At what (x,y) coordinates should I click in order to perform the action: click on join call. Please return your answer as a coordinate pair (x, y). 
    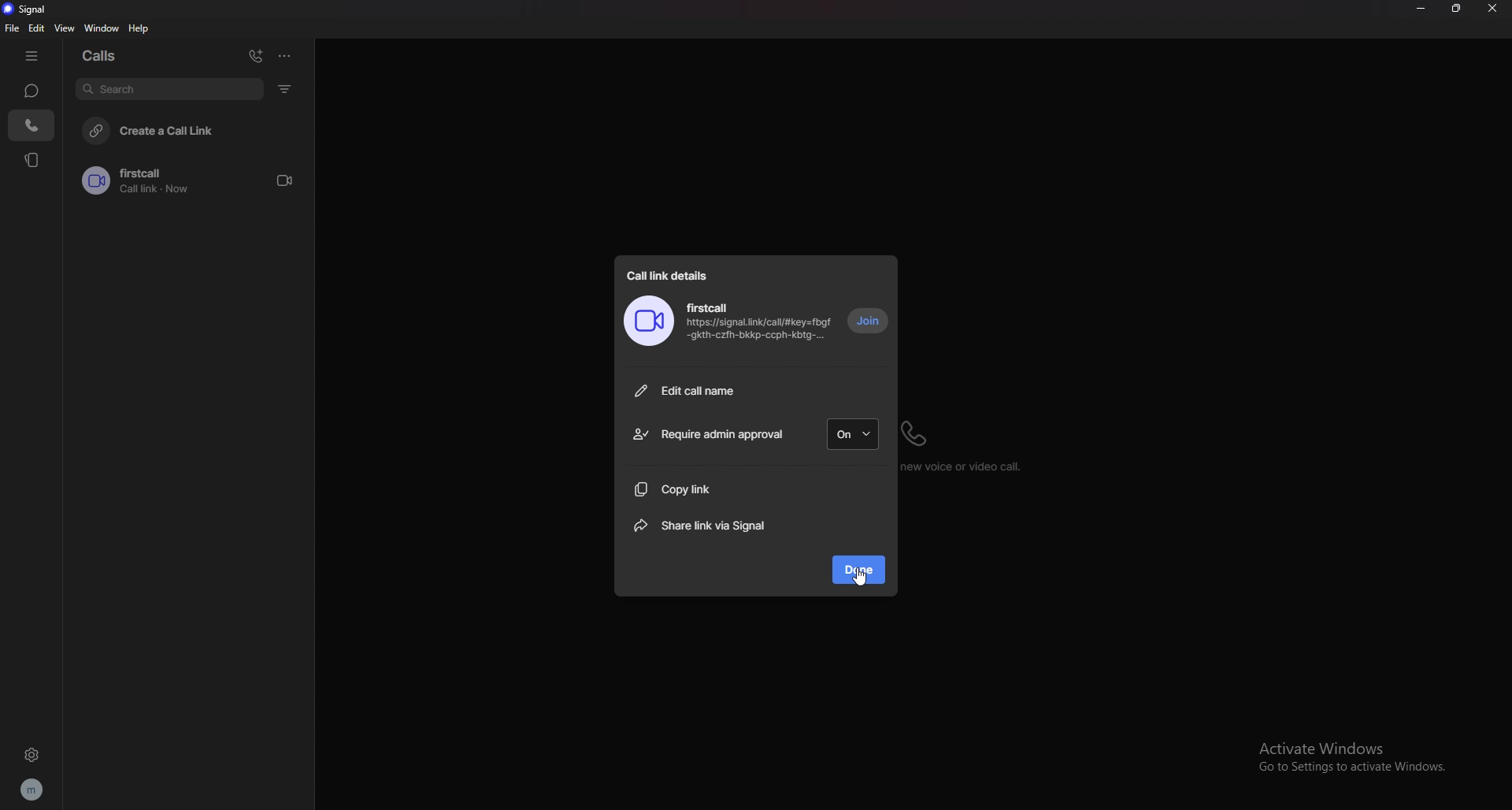
    Looking at the image, I should click on (869, 321).